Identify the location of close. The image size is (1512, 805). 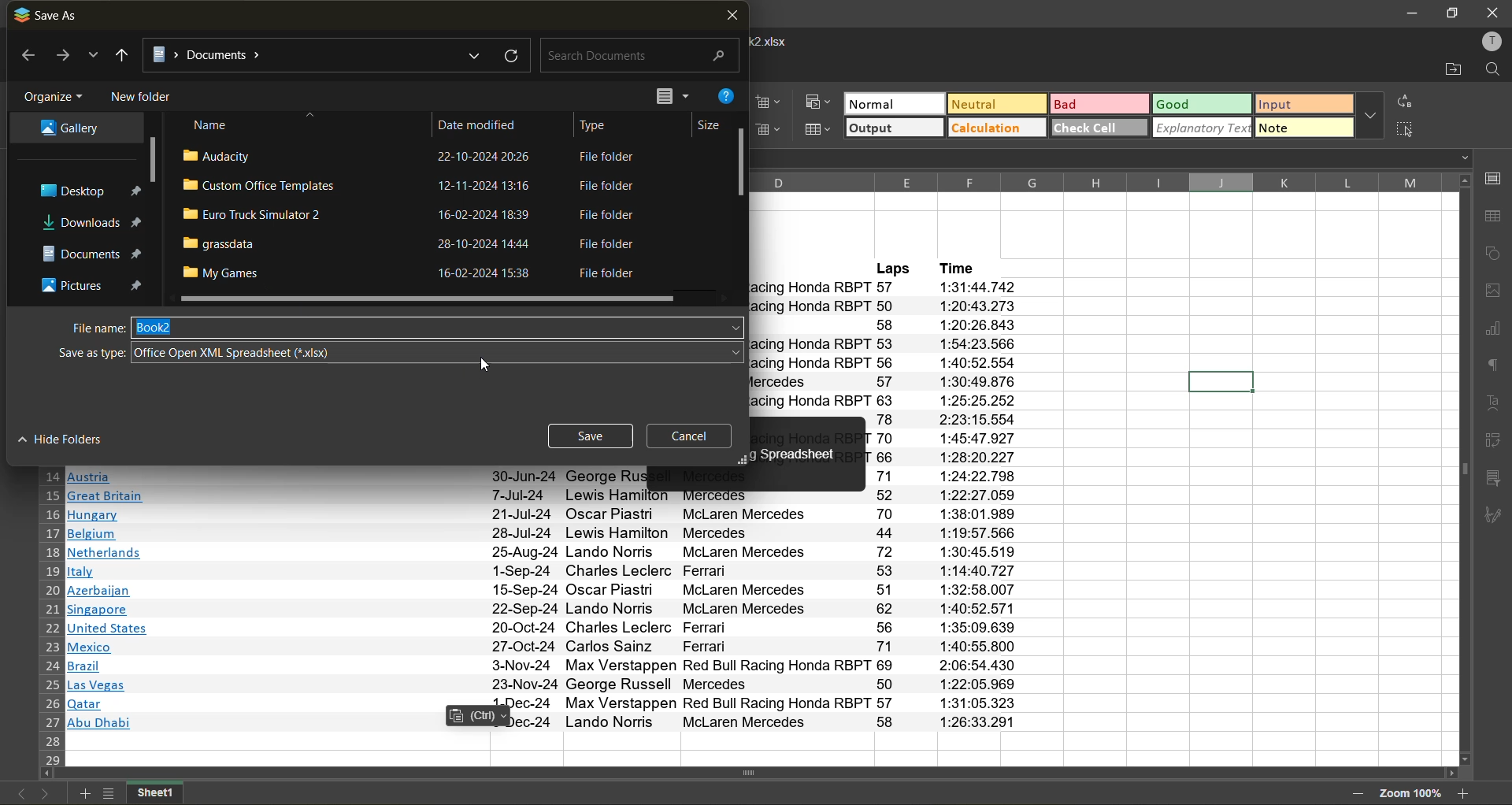
(1493, 12).